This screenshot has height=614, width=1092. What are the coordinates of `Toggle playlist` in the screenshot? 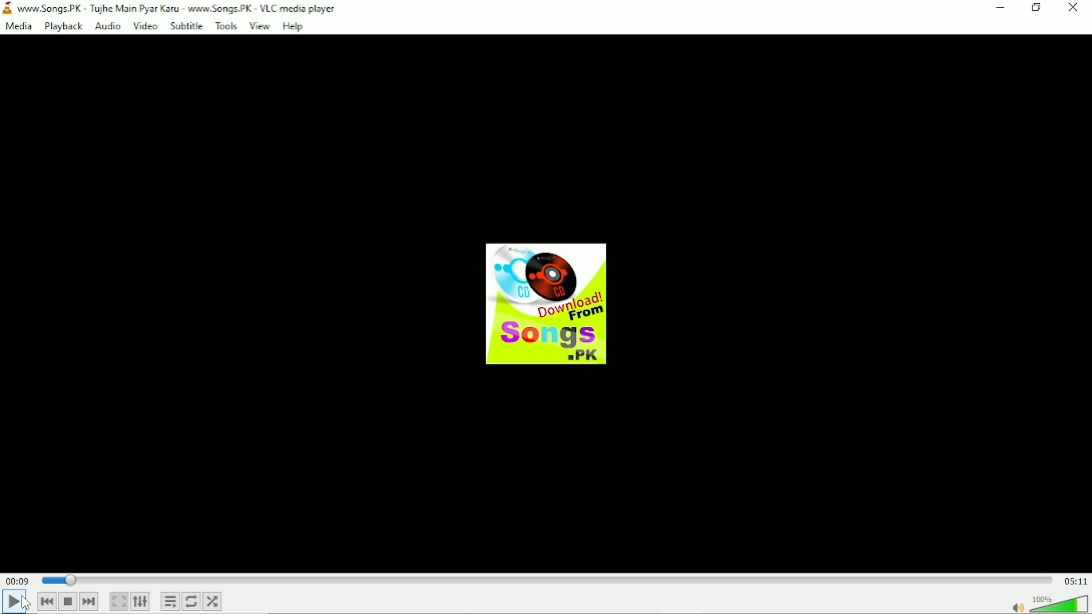 It's located at (169, 602).